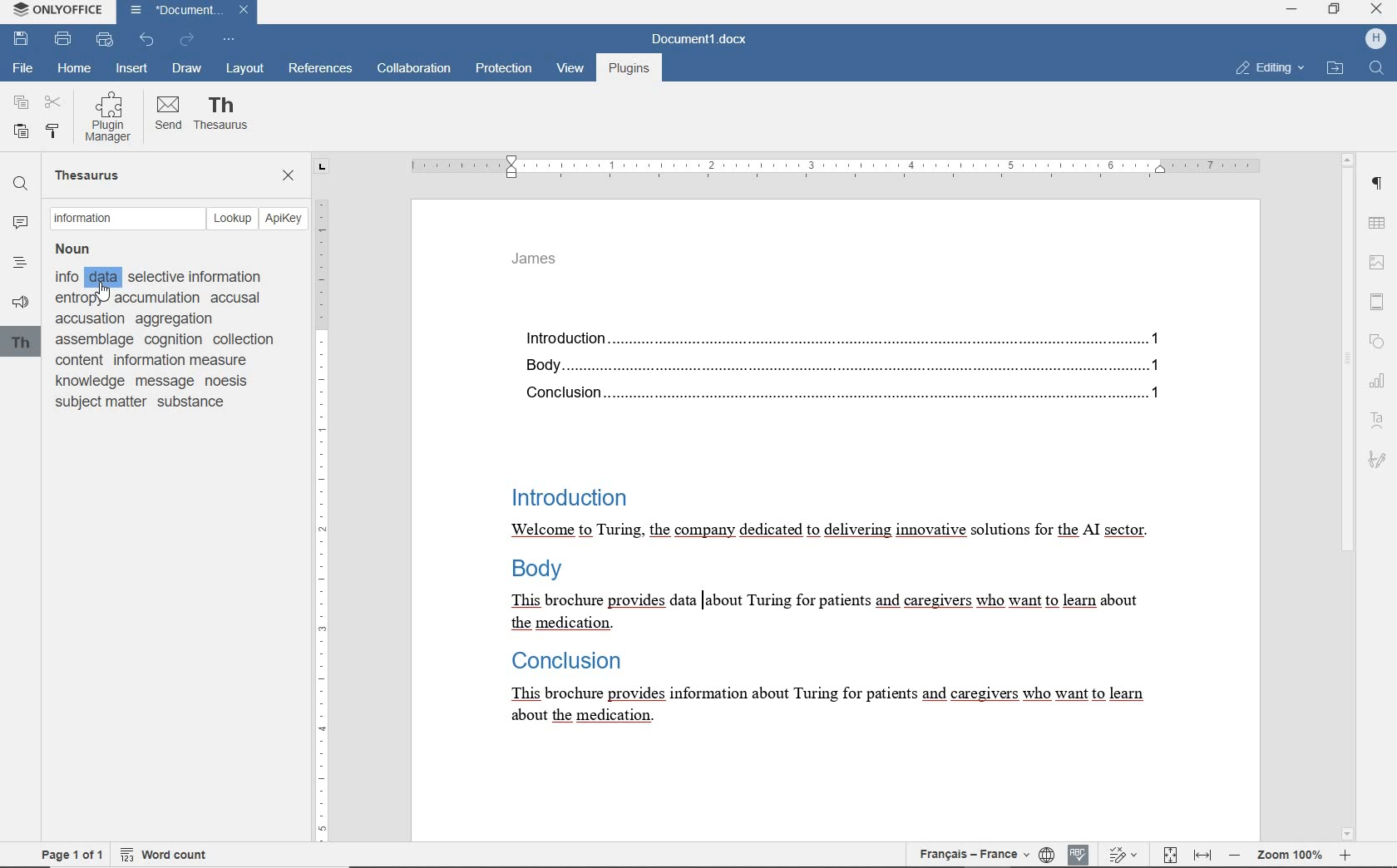  Describe the element at coordinates (54, 131) in the screenshot. I see `COPY STYLE` at that location.